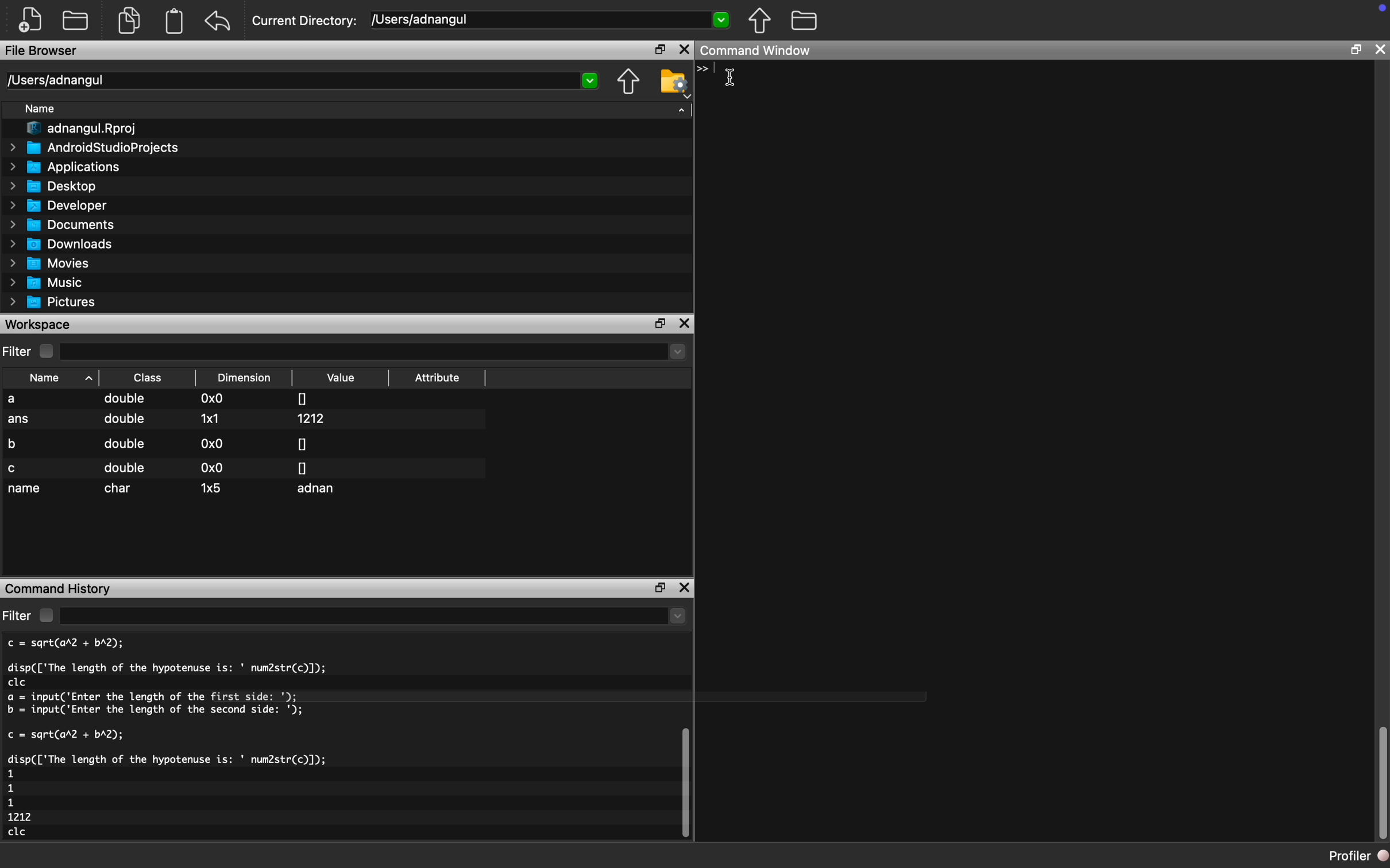  Describe the element at coordinates (172, 22) in the screenshot. I see `document clipboard` at that location.